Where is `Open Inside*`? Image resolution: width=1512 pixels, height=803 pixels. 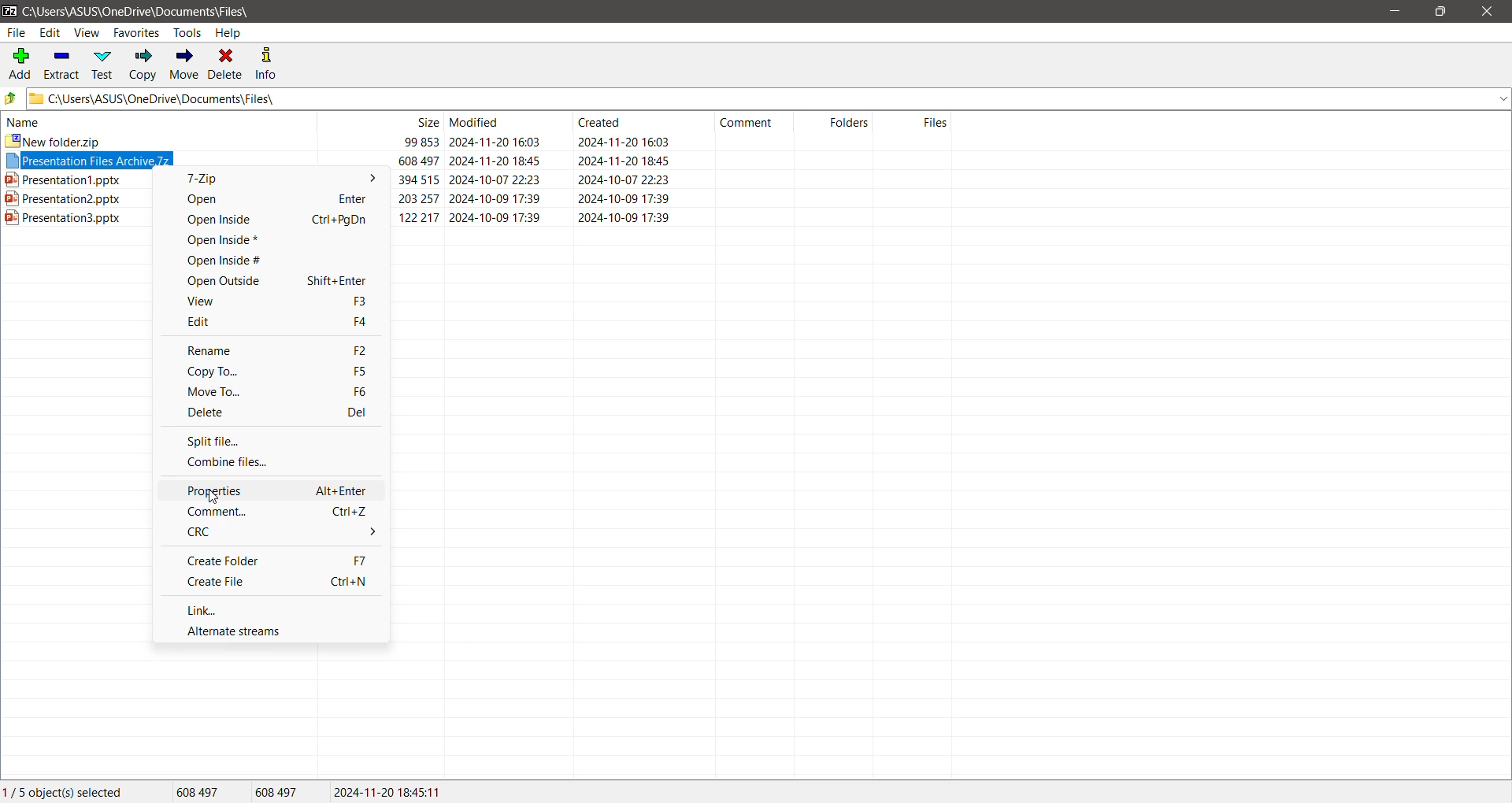 Open Inside* is located at coordinates (233, 240).